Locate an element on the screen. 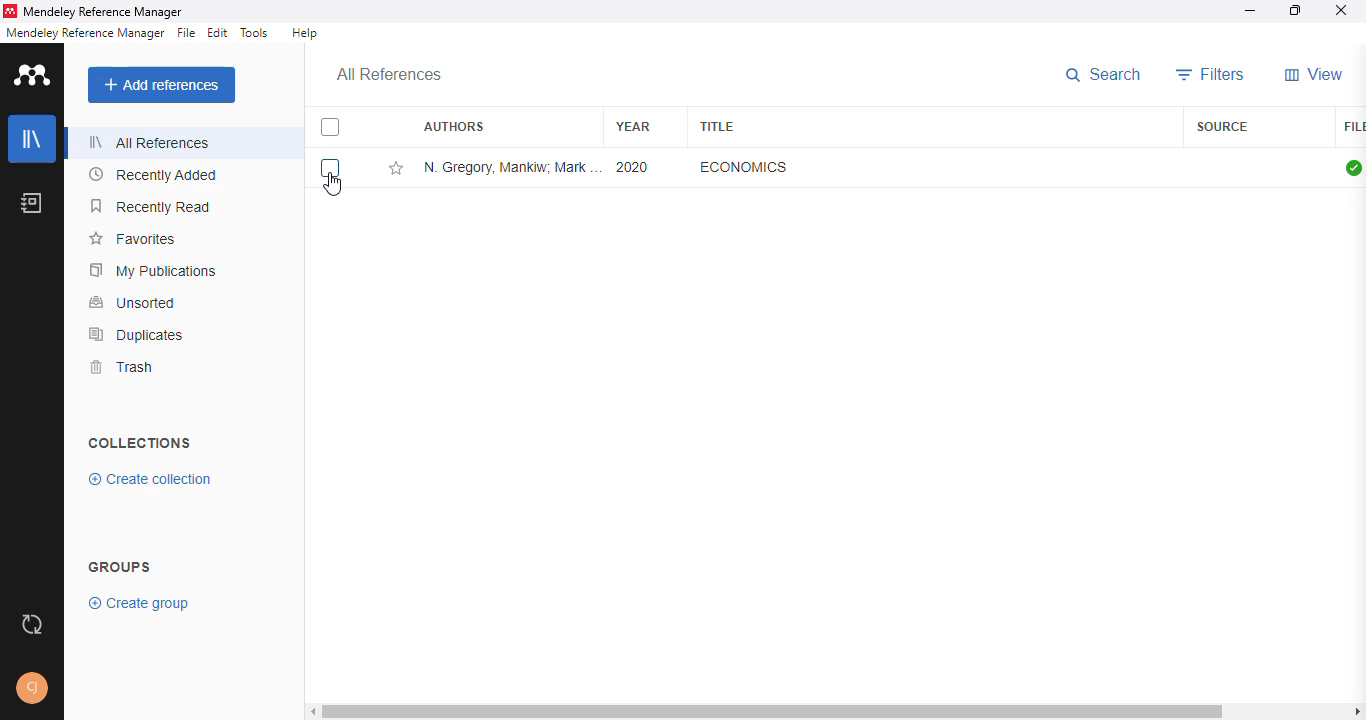 The image size is (1366, 720). mendeley reference manager is located at coordinates (85, 33).